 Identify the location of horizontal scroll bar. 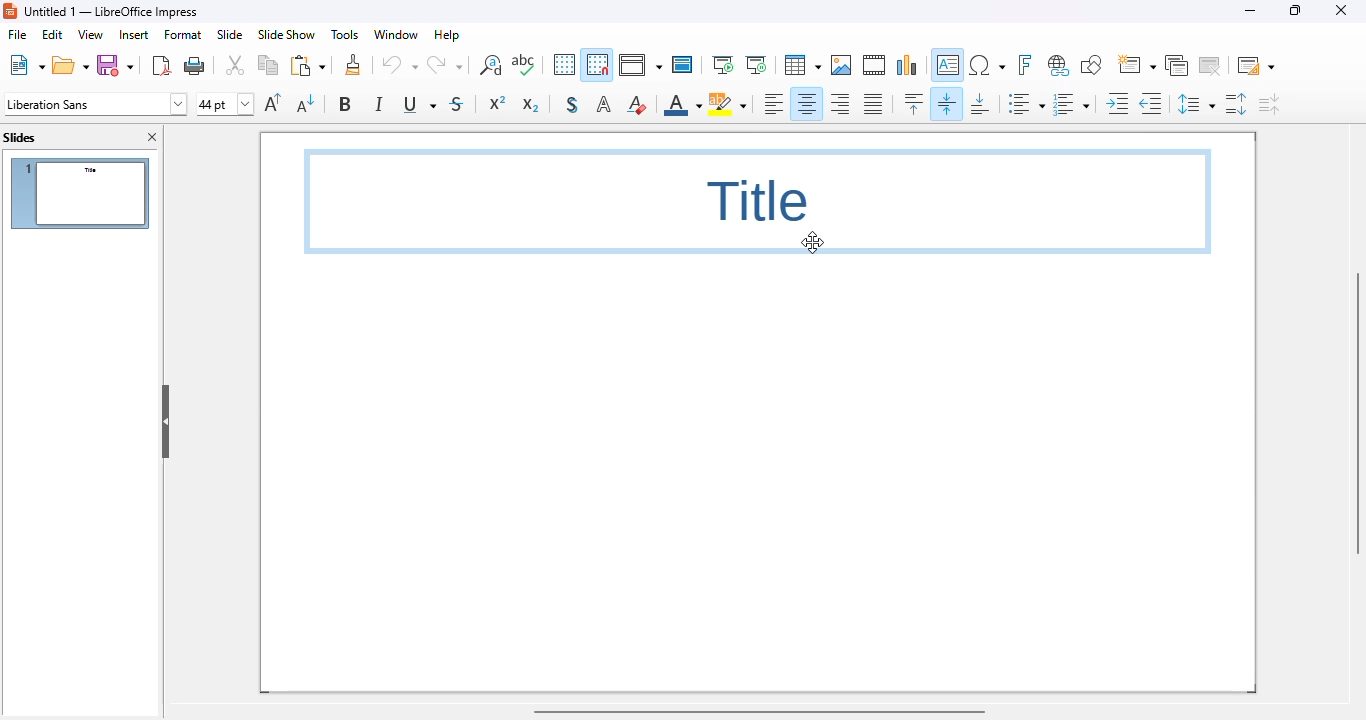
(759, 711).